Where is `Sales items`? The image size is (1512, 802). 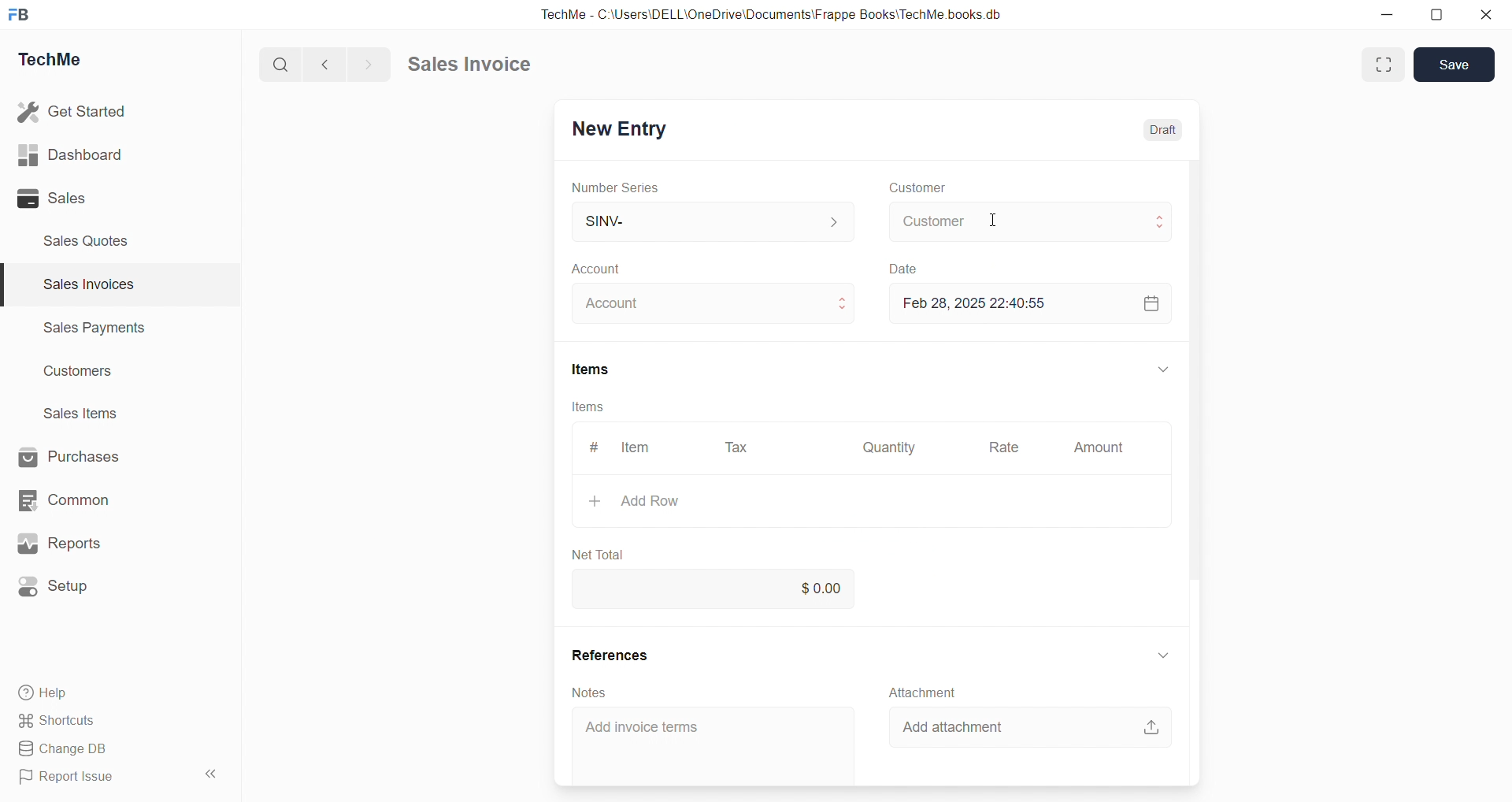
Sales items is located at coordinates (82, 413).